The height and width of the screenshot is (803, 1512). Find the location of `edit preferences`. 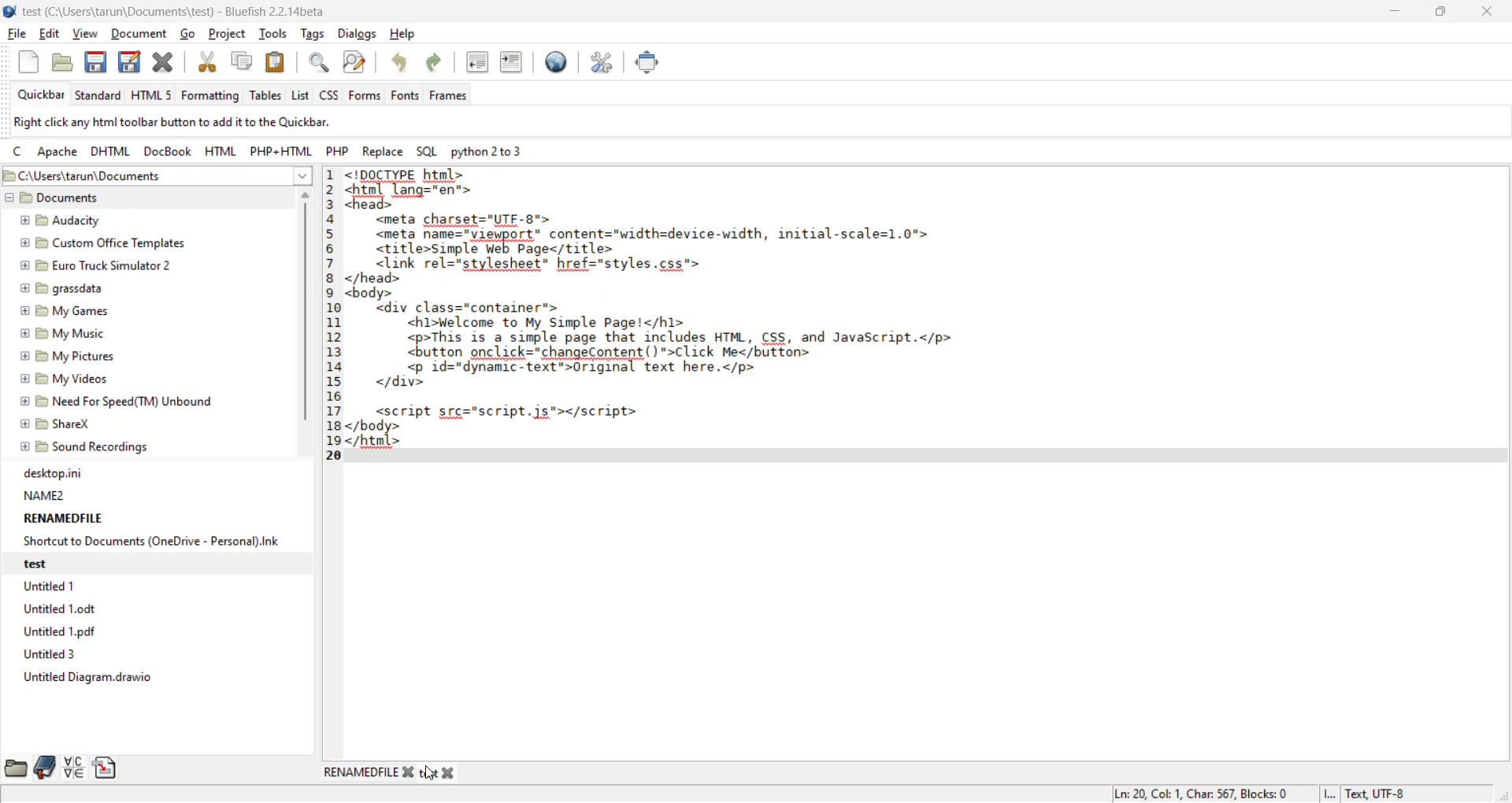

edit preferences is located at coordinates (605, 65).